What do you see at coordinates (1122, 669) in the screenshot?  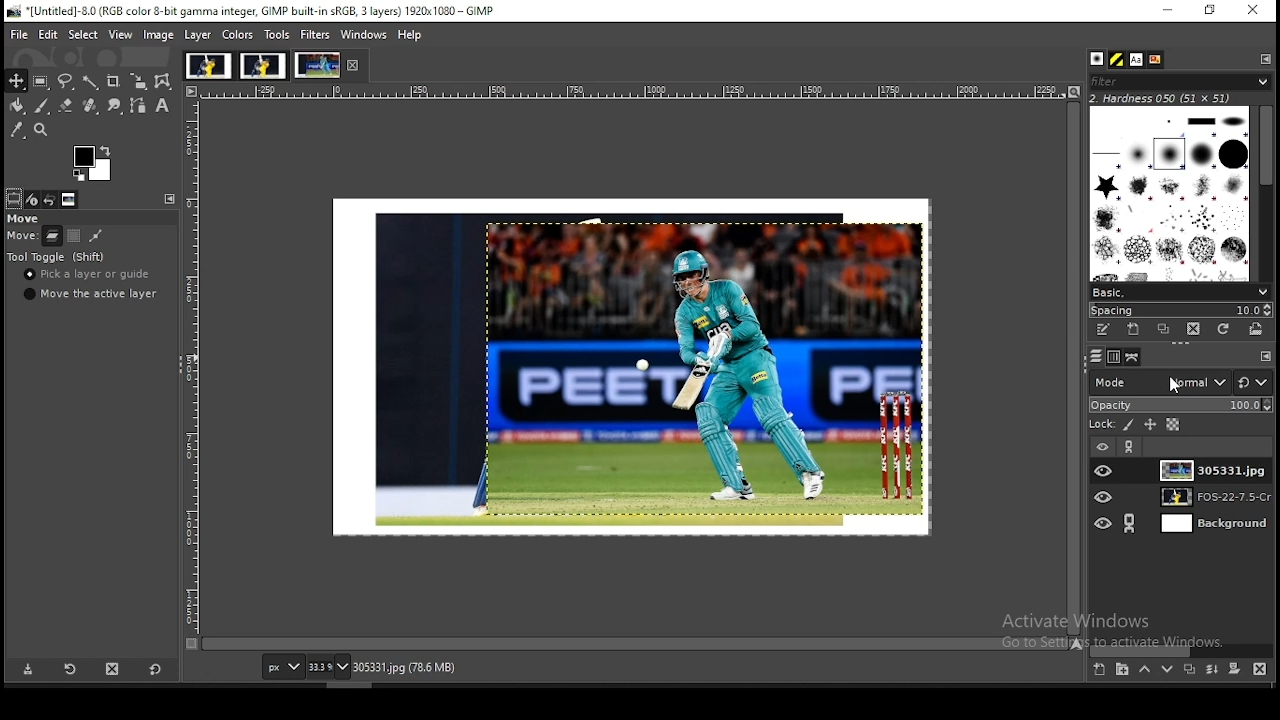 I see `new layer group` at bounding box center [1122, 669].